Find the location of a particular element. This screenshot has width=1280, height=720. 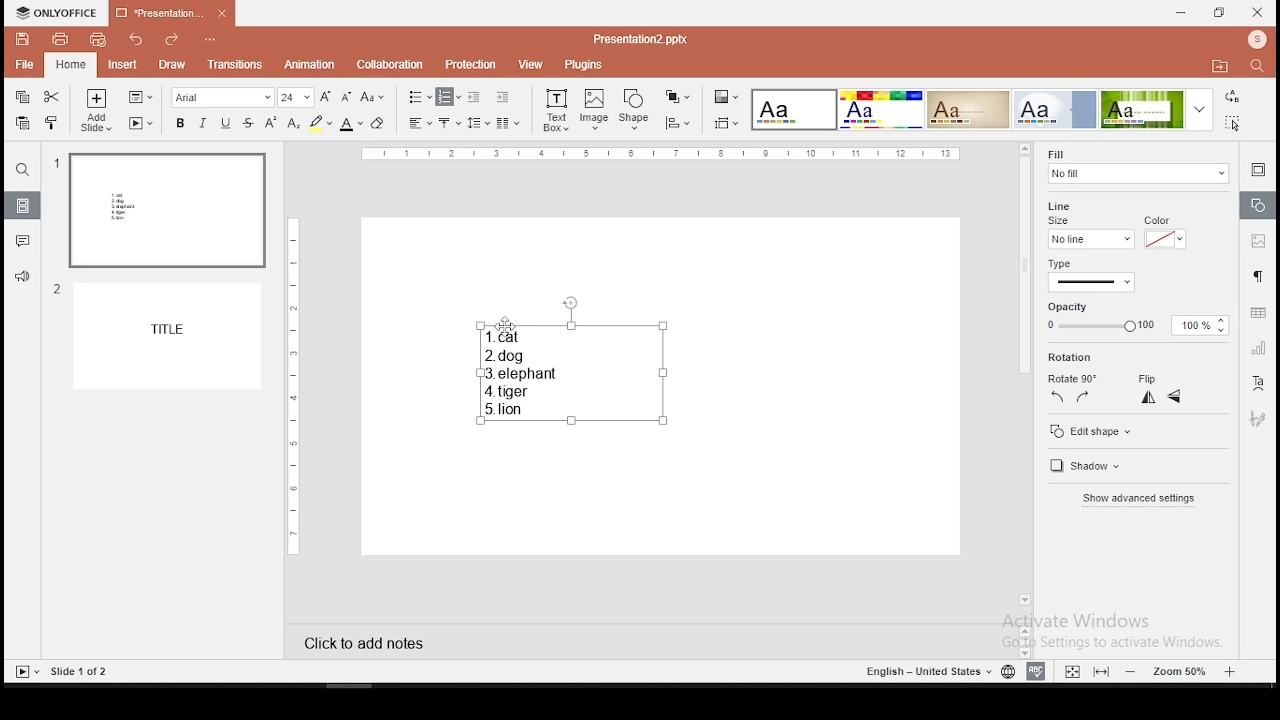

decrease font size is located at coordinates (344, 95).